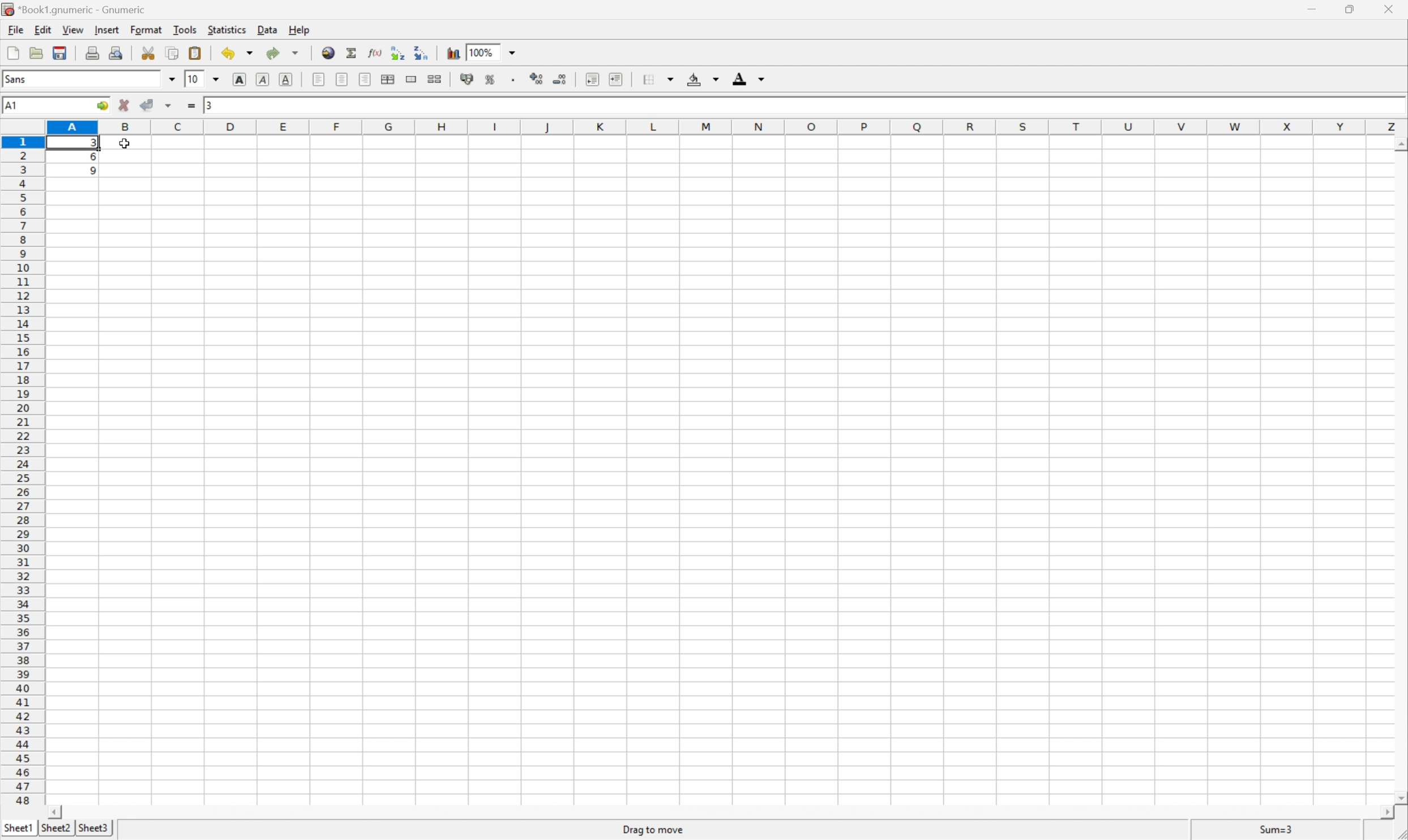 This screenshot has height=840, width=1408. What do you see at coordinates (617, 79) in the screenshot?
I see `Increase indent, and align the contents to the left` at bounding box center [617, 79].